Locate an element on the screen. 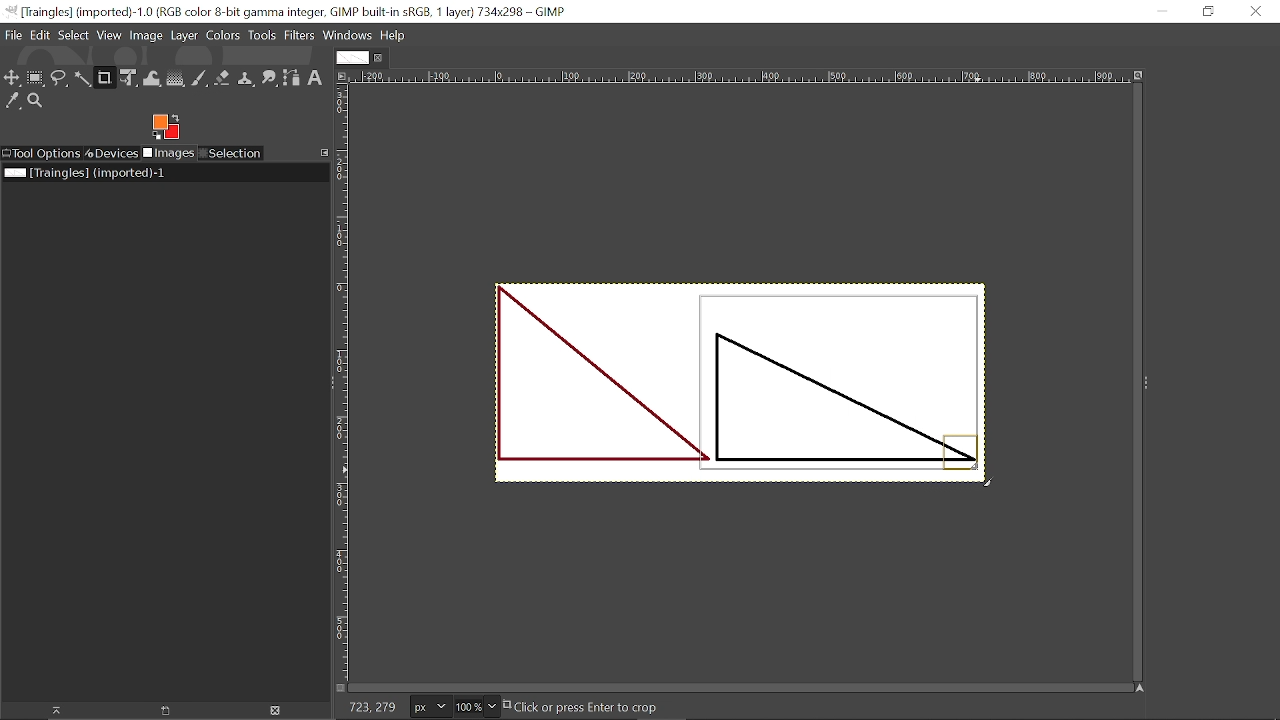 This screenshot has height=720, width=1280. Tools is located at coordinates (262, 36).